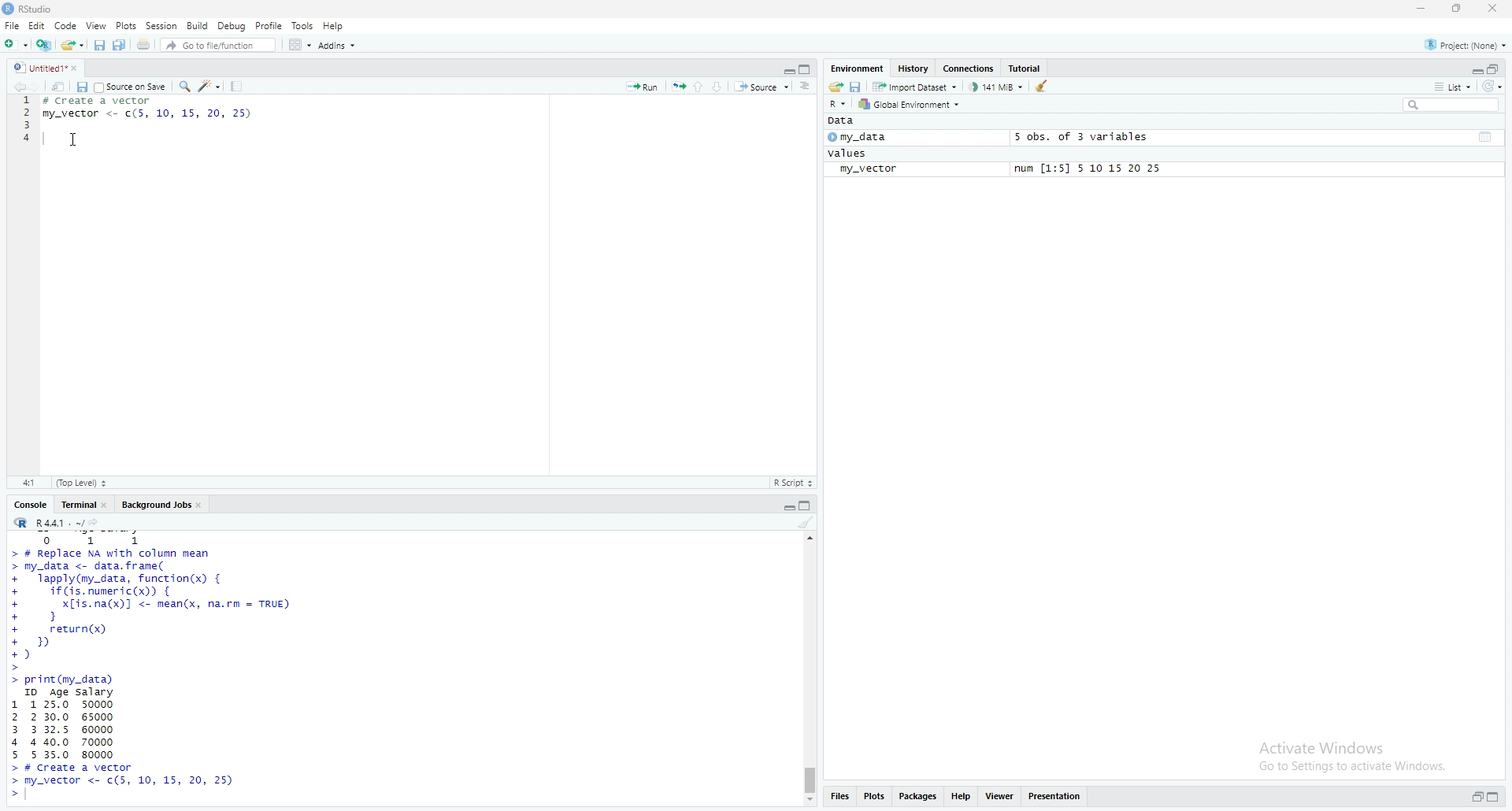 Image resolution: width=1512 pixels, height=811 pixels. What do you see at coordinates (127, 25) in the screenshot?
I see `Plots` at bounding box center [127, 25].